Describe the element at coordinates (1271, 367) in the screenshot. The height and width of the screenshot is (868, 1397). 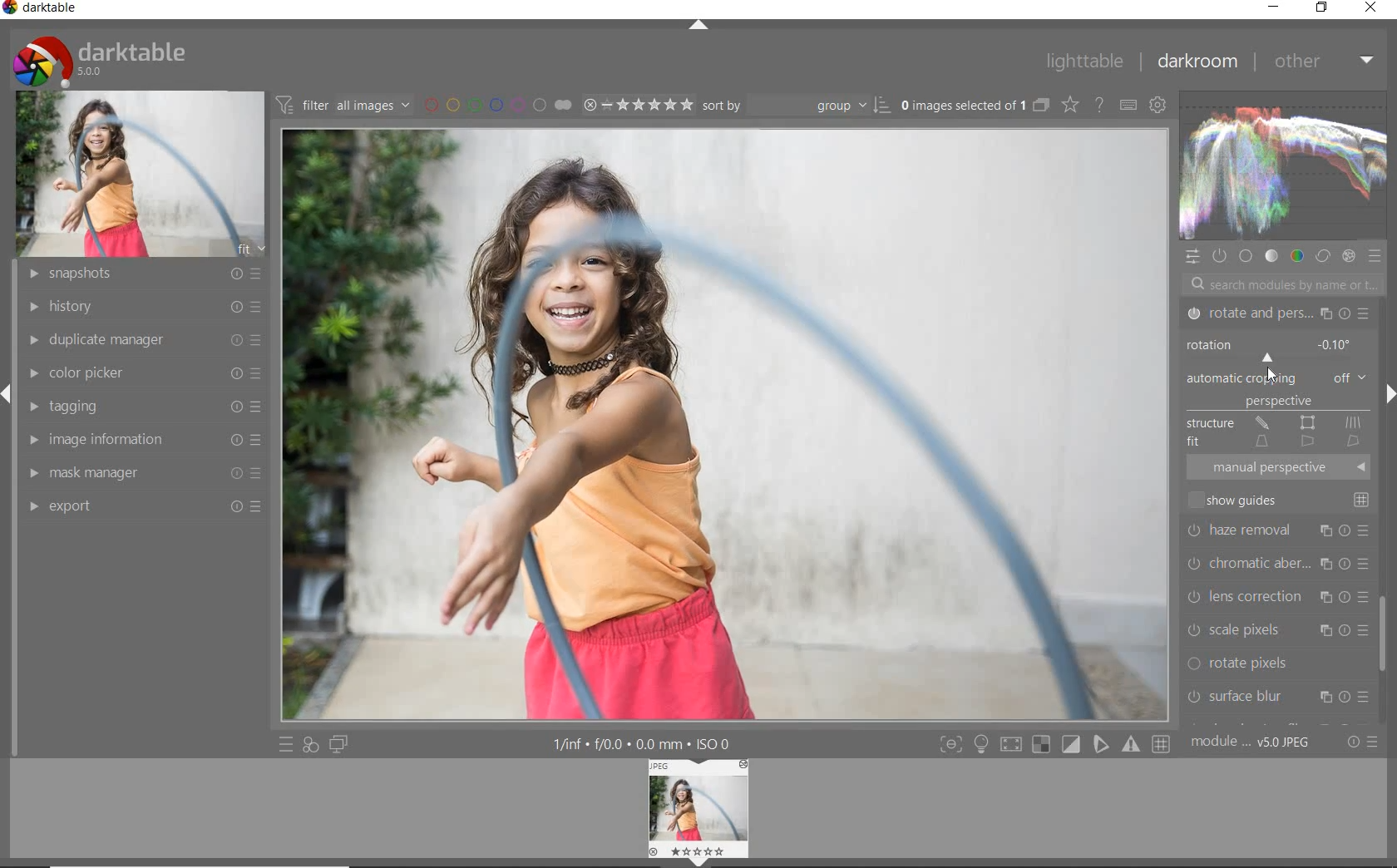
I see `CURSOR POSITION` at that location.